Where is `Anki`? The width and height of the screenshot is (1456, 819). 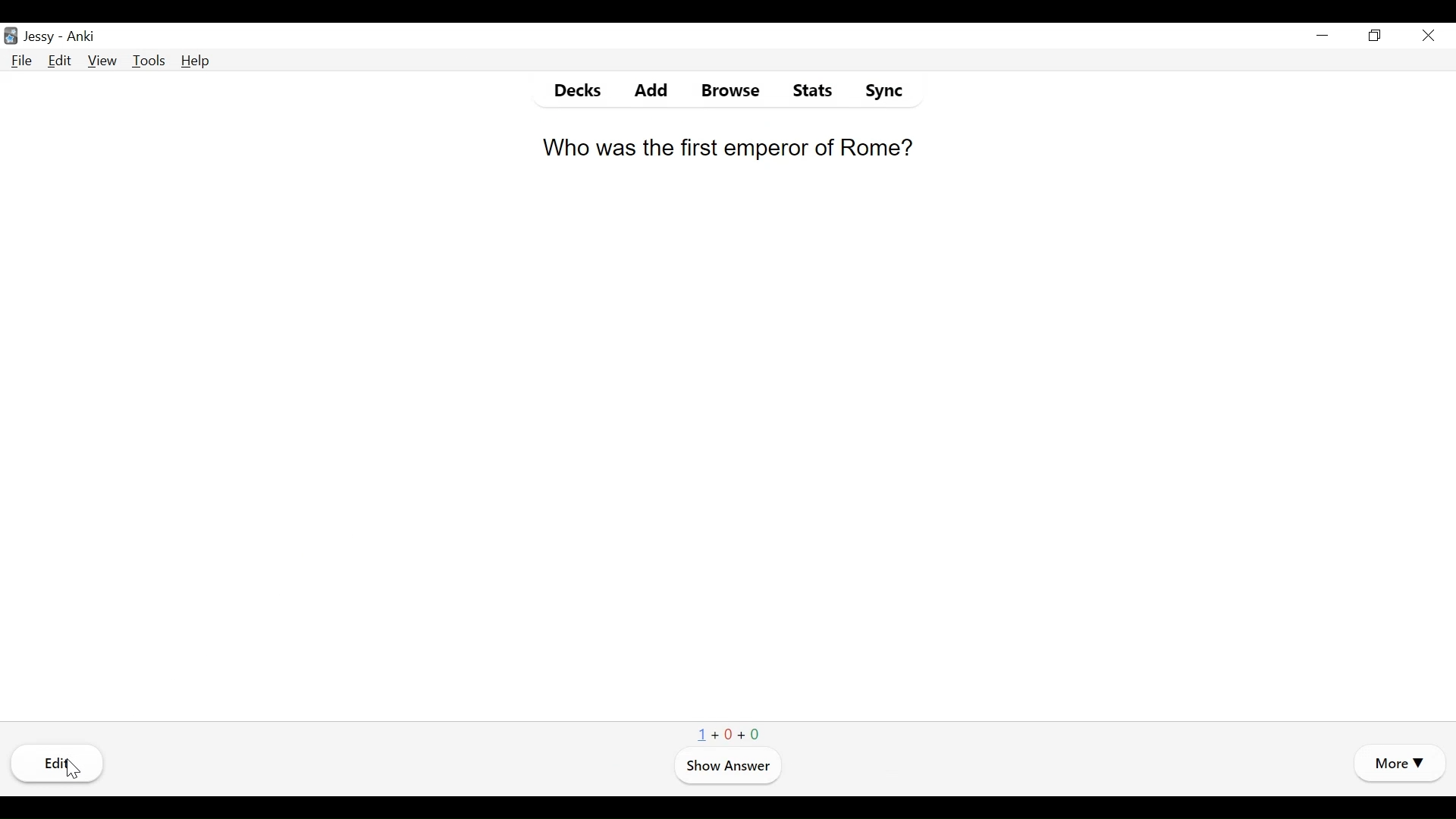
Anki is located at coordinates (83, 38).